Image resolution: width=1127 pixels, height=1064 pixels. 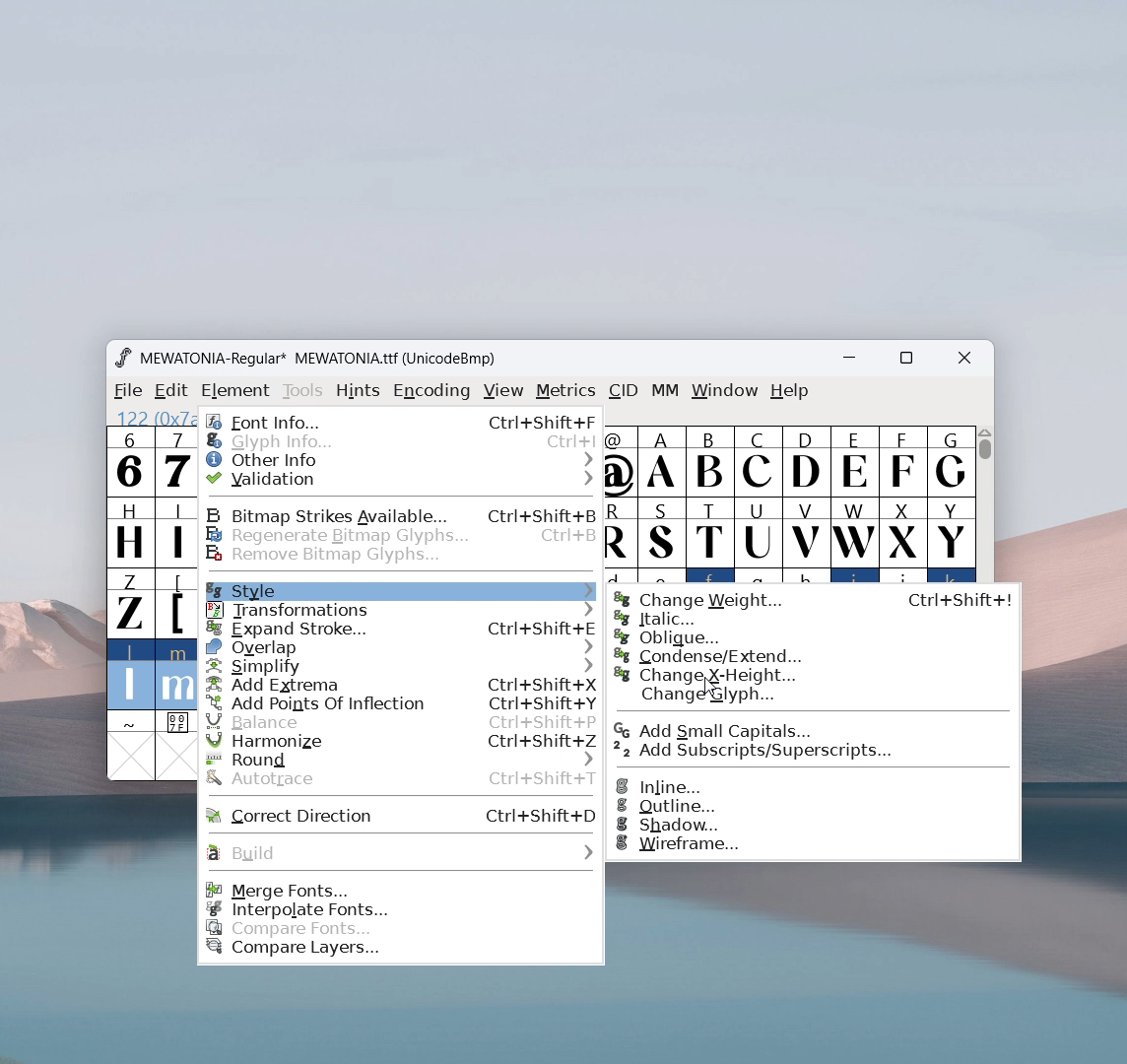 I want to click on file, so click(x=125, y=391).